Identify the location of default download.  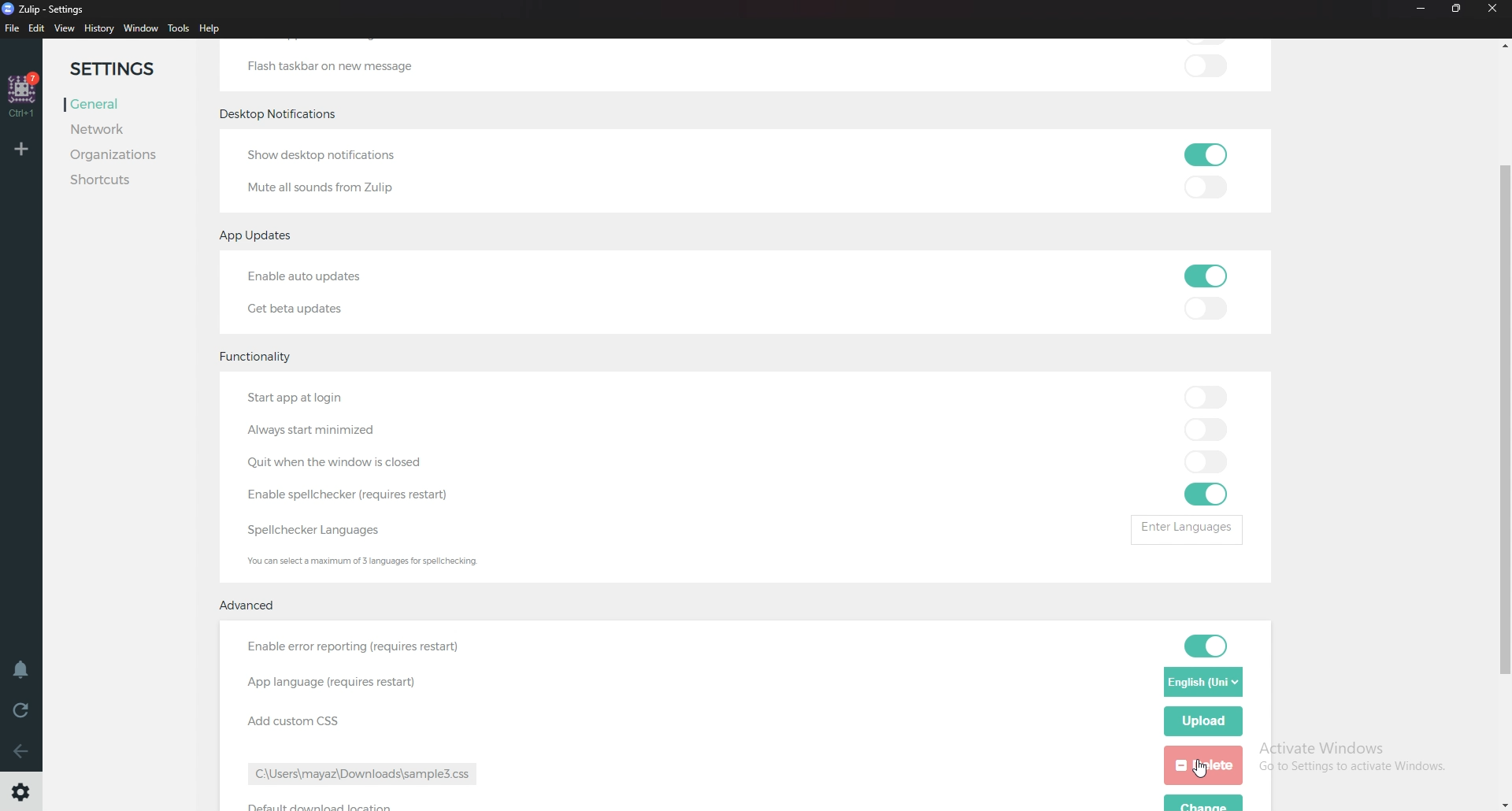
(321, 803).